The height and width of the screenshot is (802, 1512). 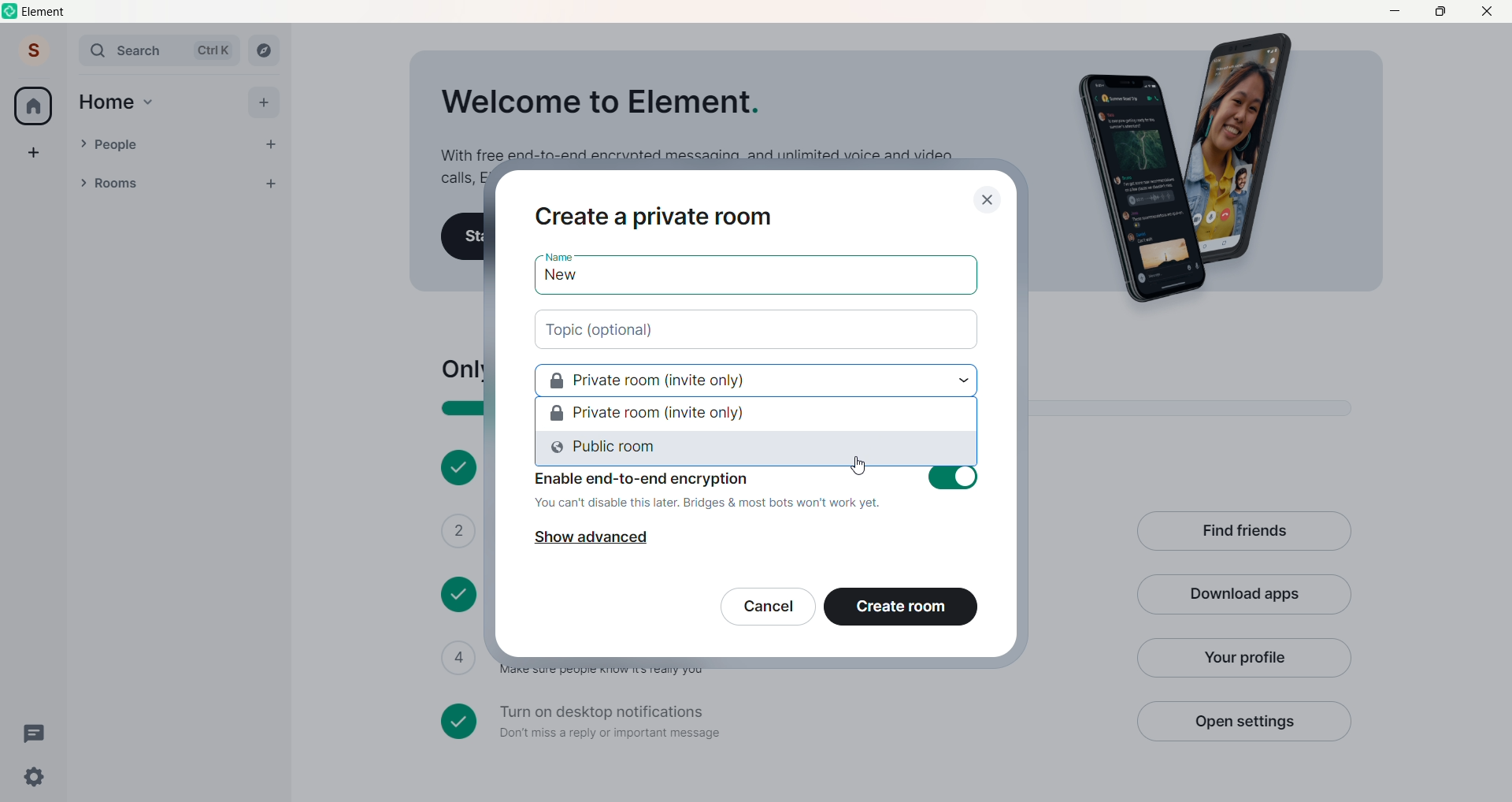 What do you see at coordinates (1243, 721) in the screenshot?
I see `Open Settings` at bounding box center [1243, 721].